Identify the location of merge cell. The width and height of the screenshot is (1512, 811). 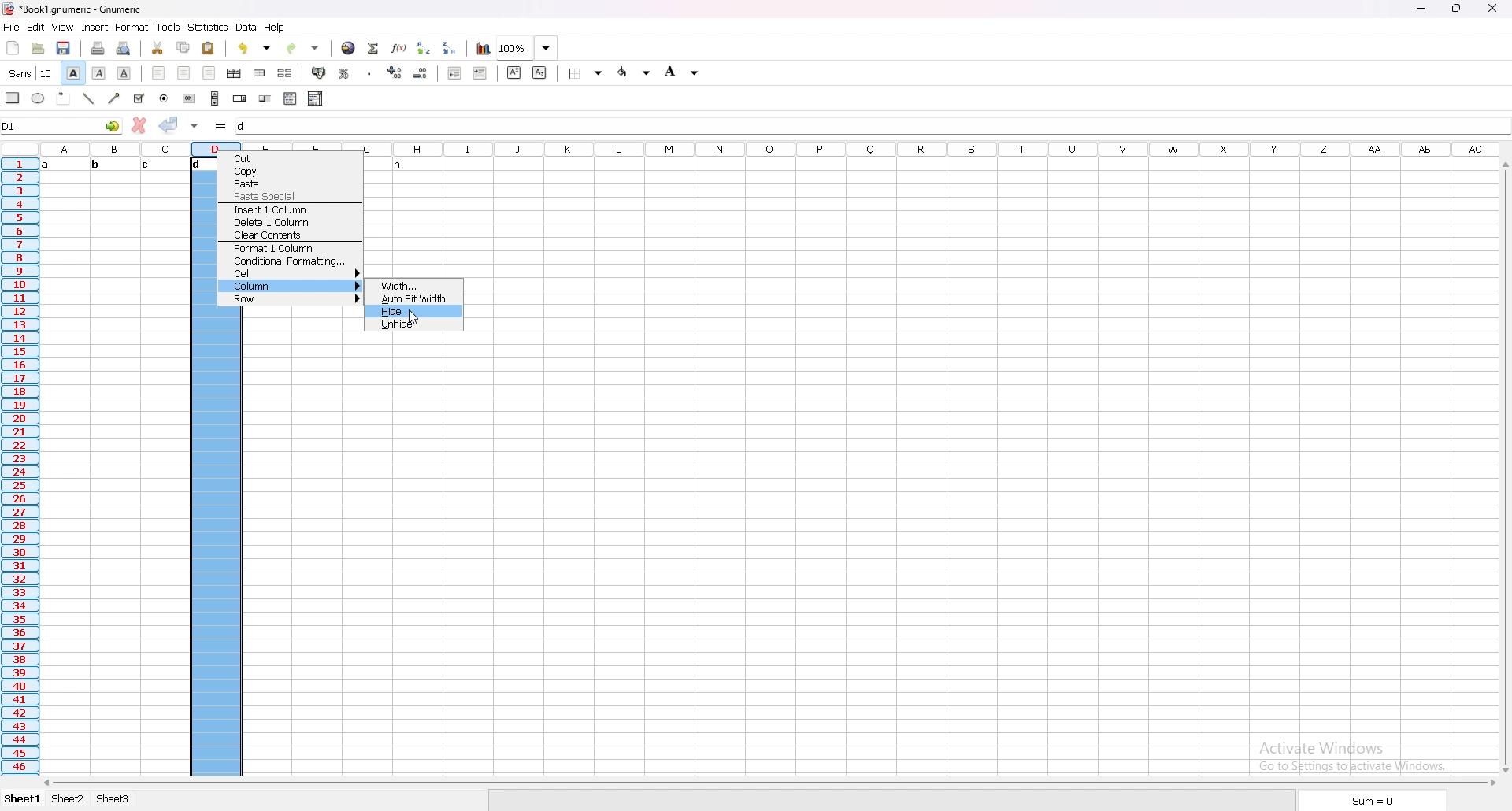
(260, 72).